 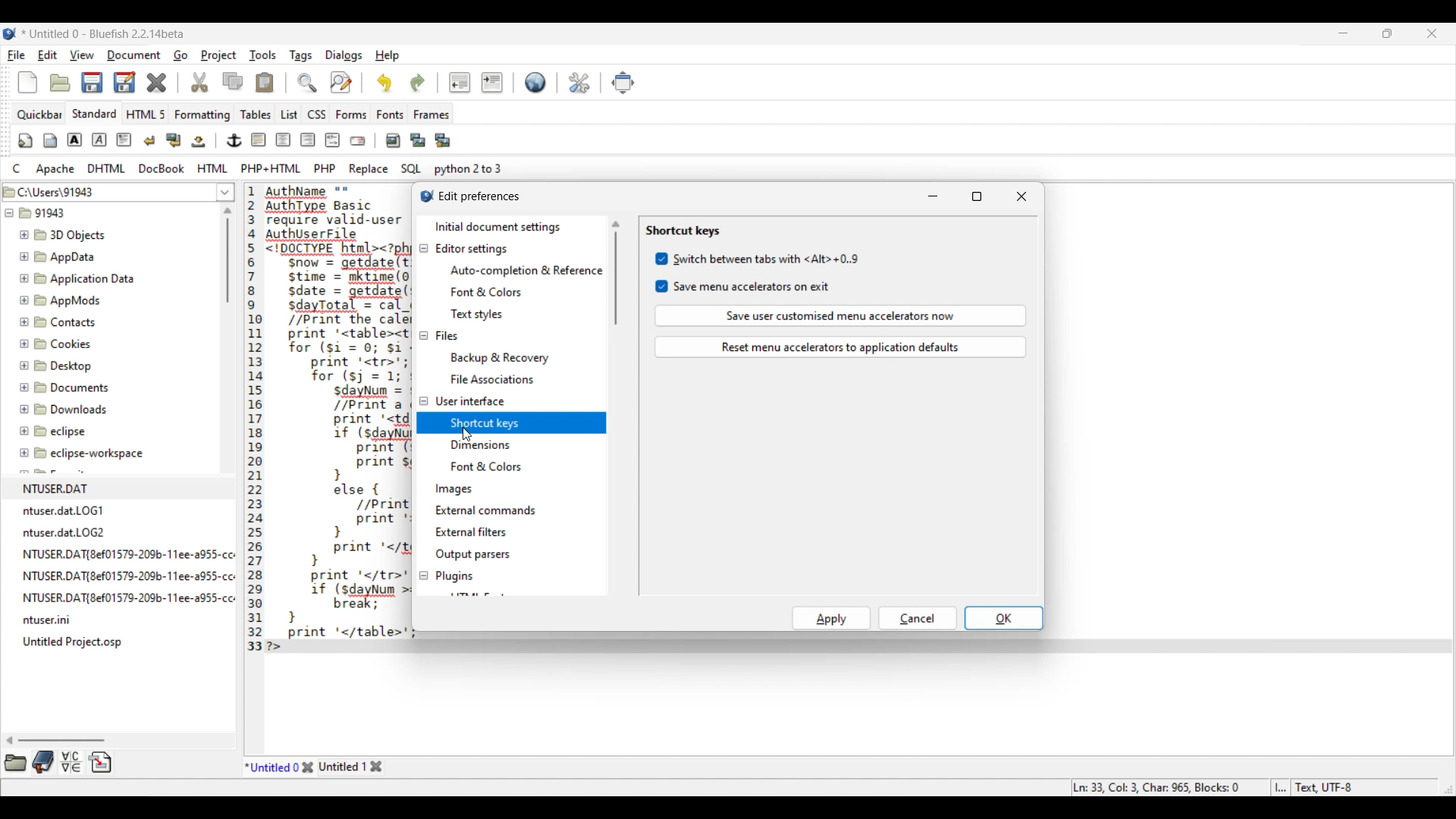 What do you see at coordinates (531, 422) in the screenshot?
I see `Current selection highlighted` at bounding box center [531, 422].